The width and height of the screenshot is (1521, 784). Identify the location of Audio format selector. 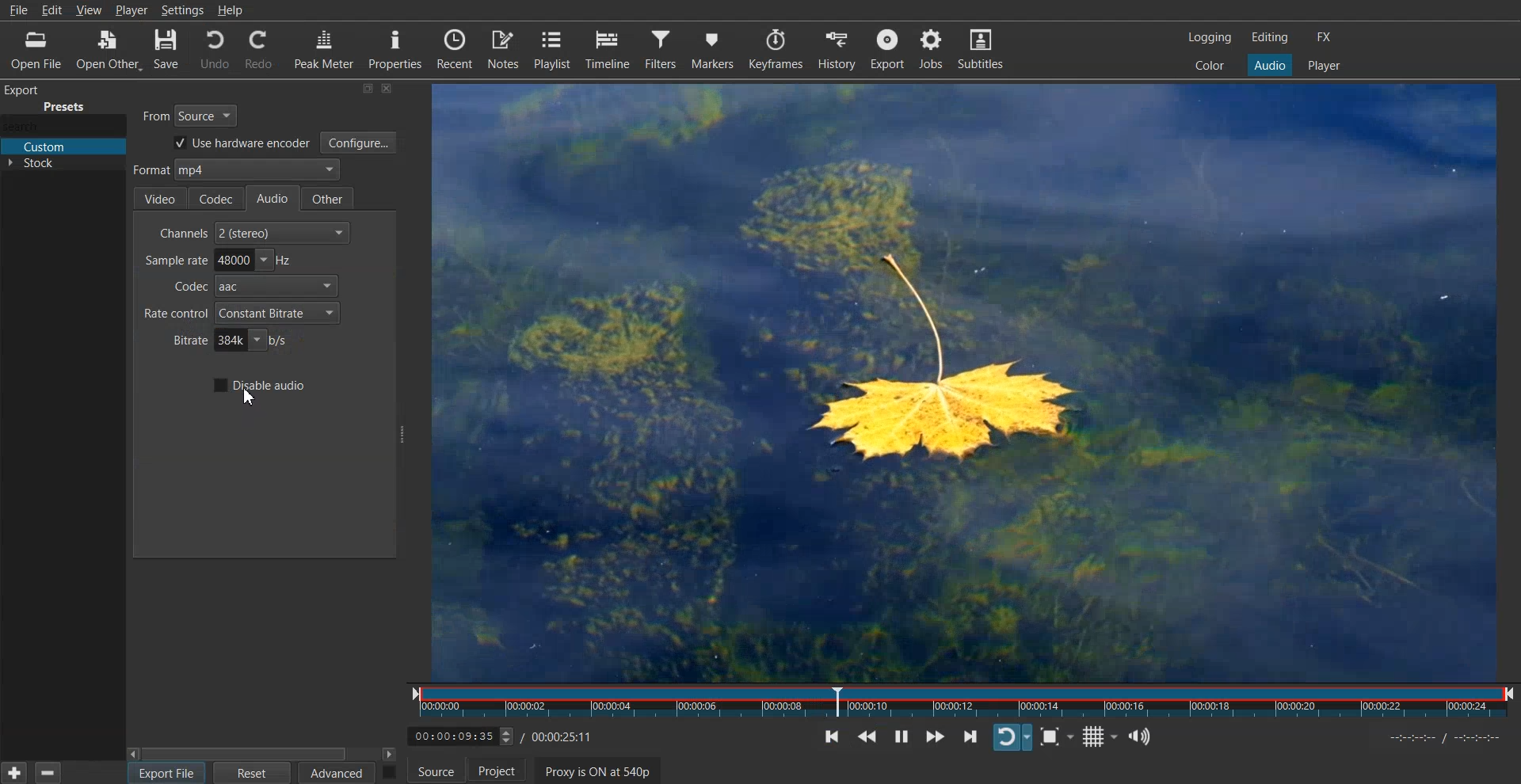
(234, 171).